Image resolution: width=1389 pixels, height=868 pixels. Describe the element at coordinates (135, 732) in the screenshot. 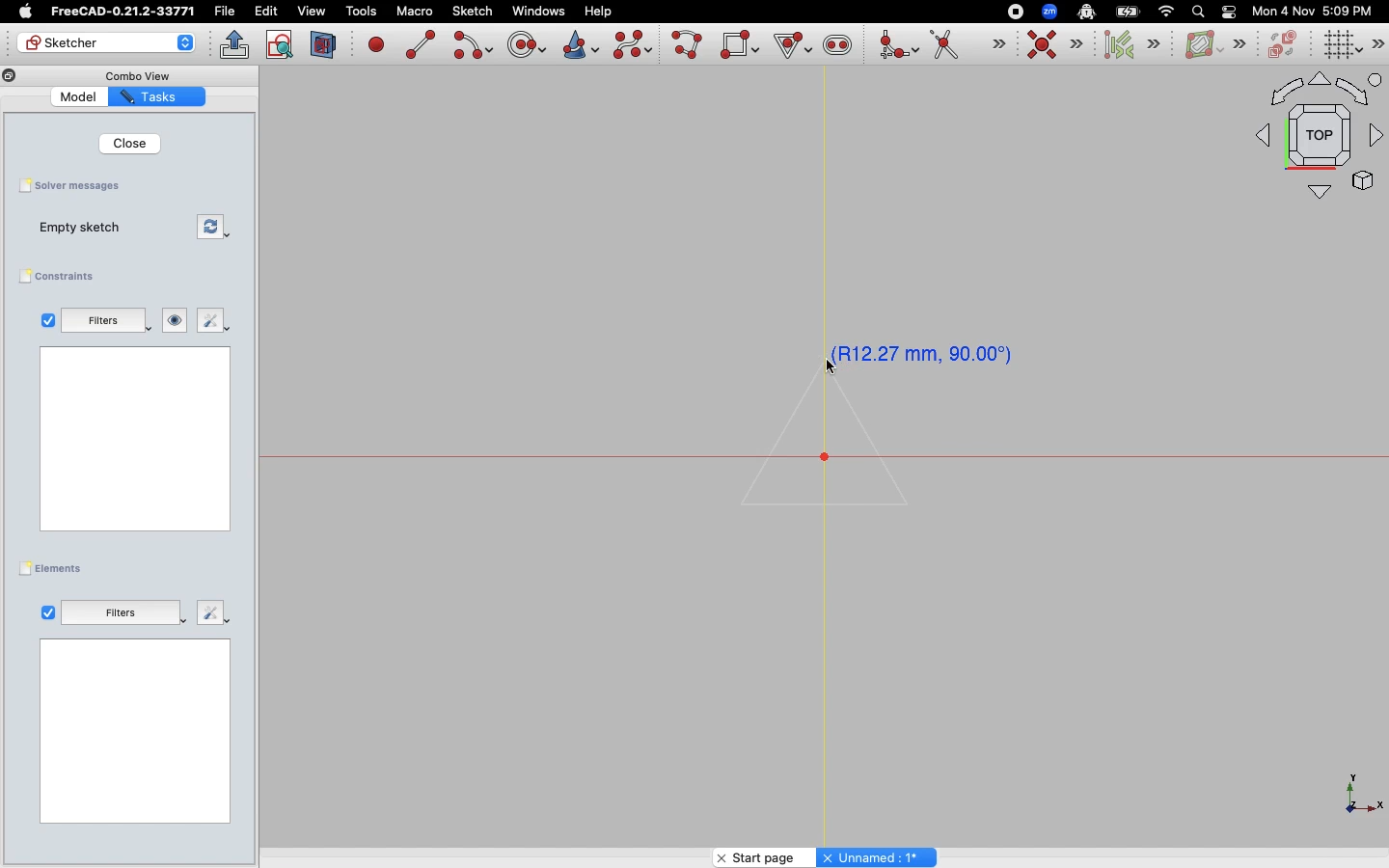

I see `Blank page` at that location.